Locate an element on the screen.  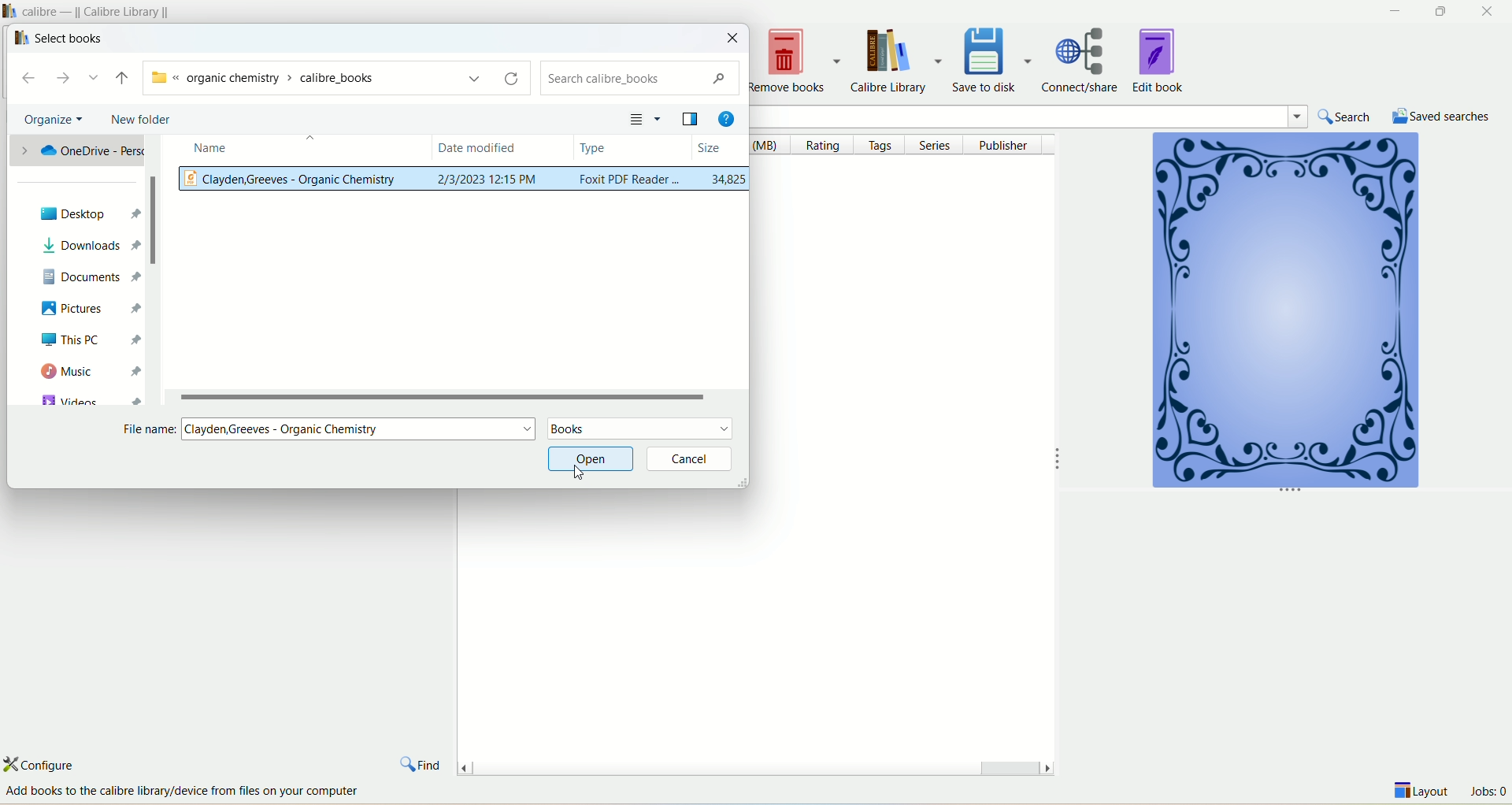
open is located at coordinates (589, 460).